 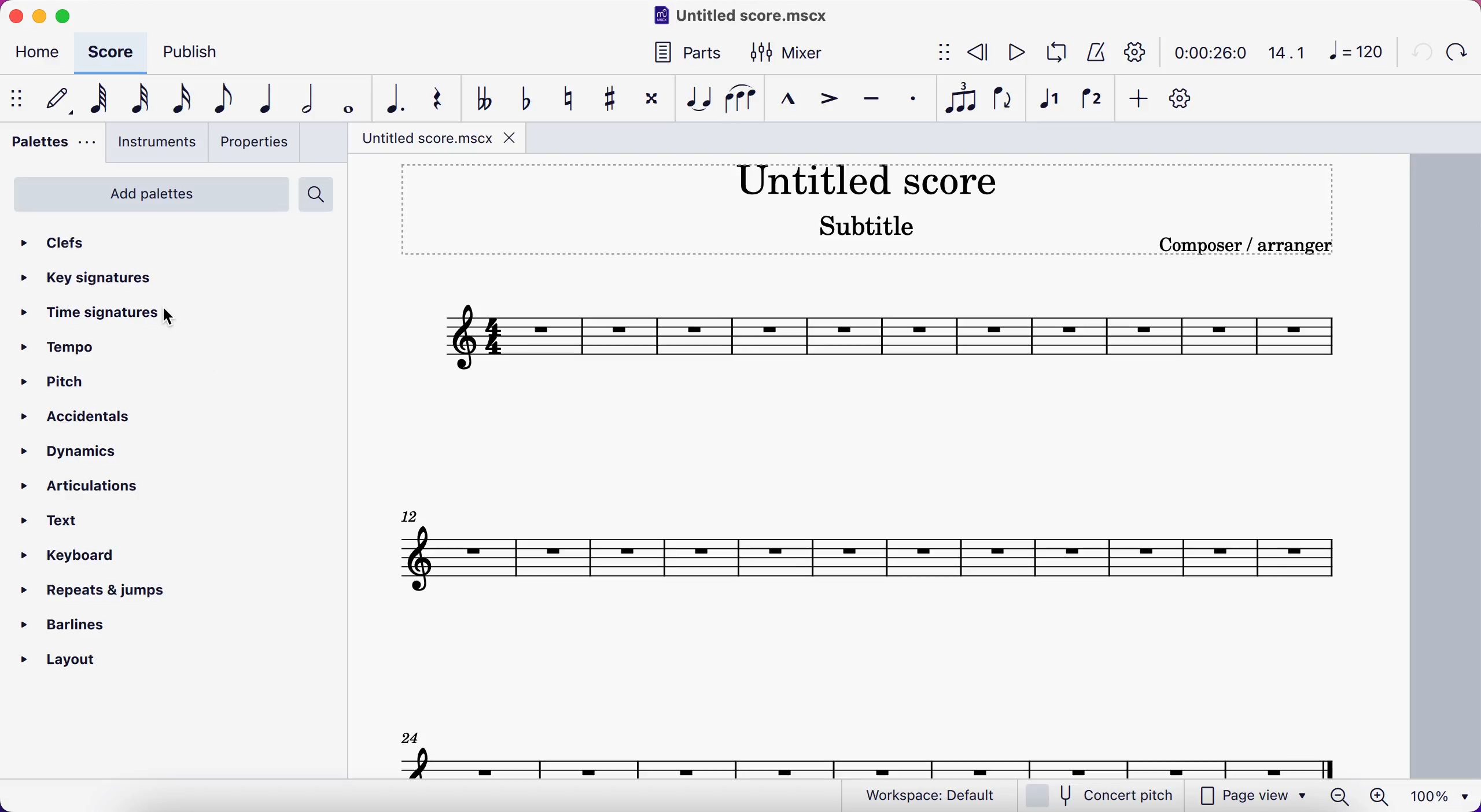 What do you see at coordinates (1135, 54) in the screenshot?
I see `playback settings` at bounding box center [1135, 54].